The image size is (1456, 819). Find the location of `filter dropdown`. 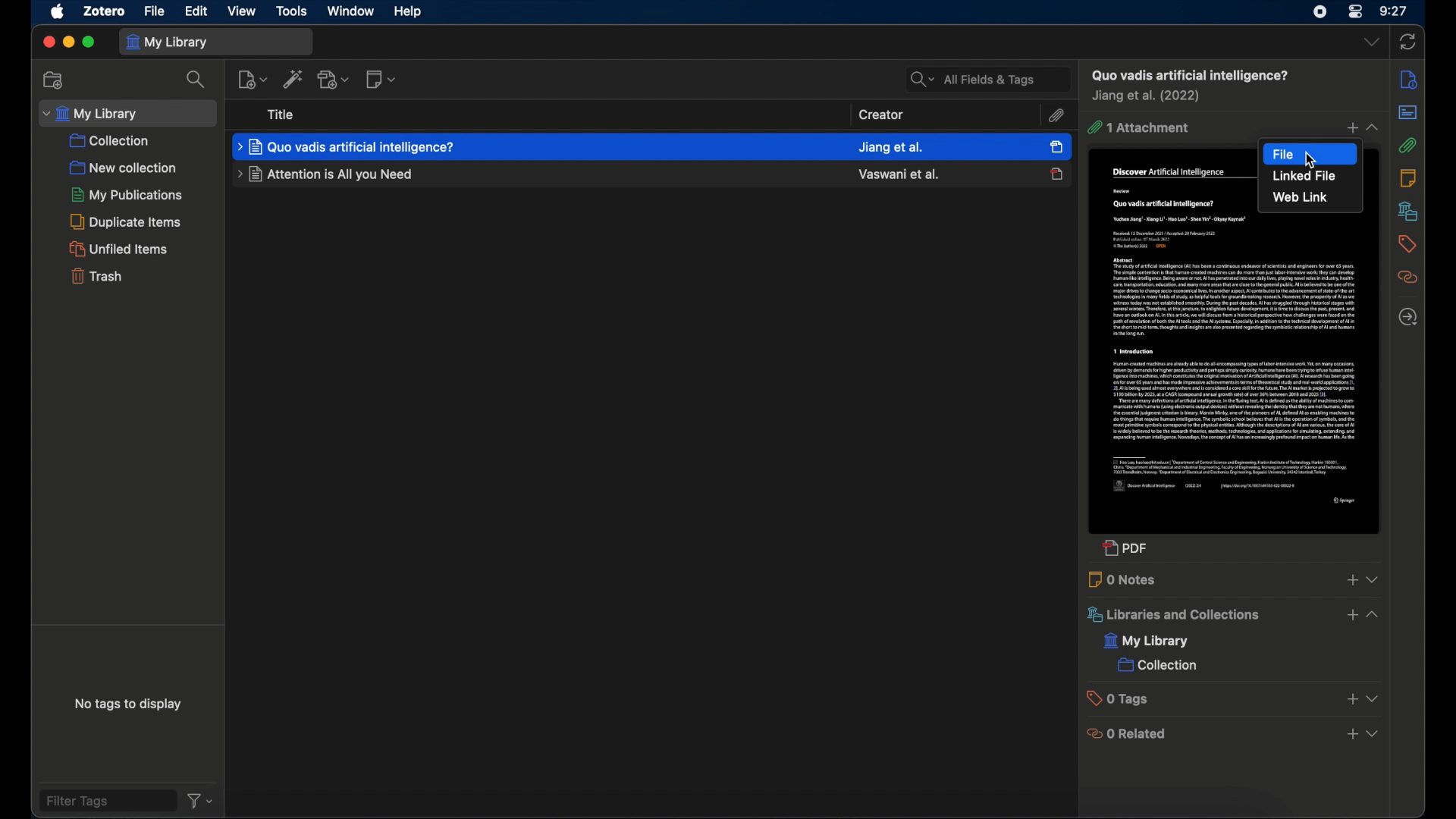

filter dropdown is located at coordinates (200, 802).